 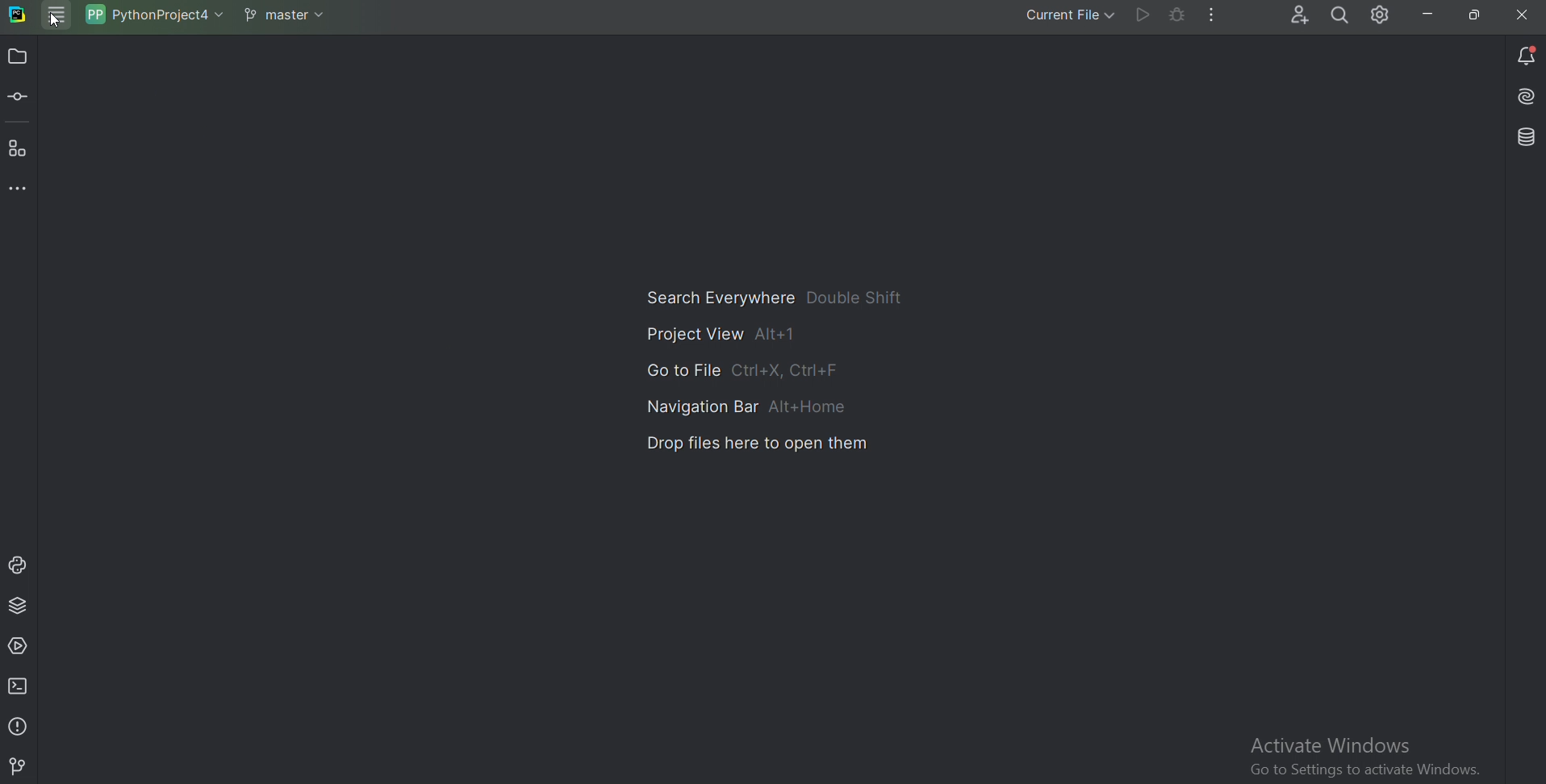 I want to click on Restore down, so click(x=1476, y=12).